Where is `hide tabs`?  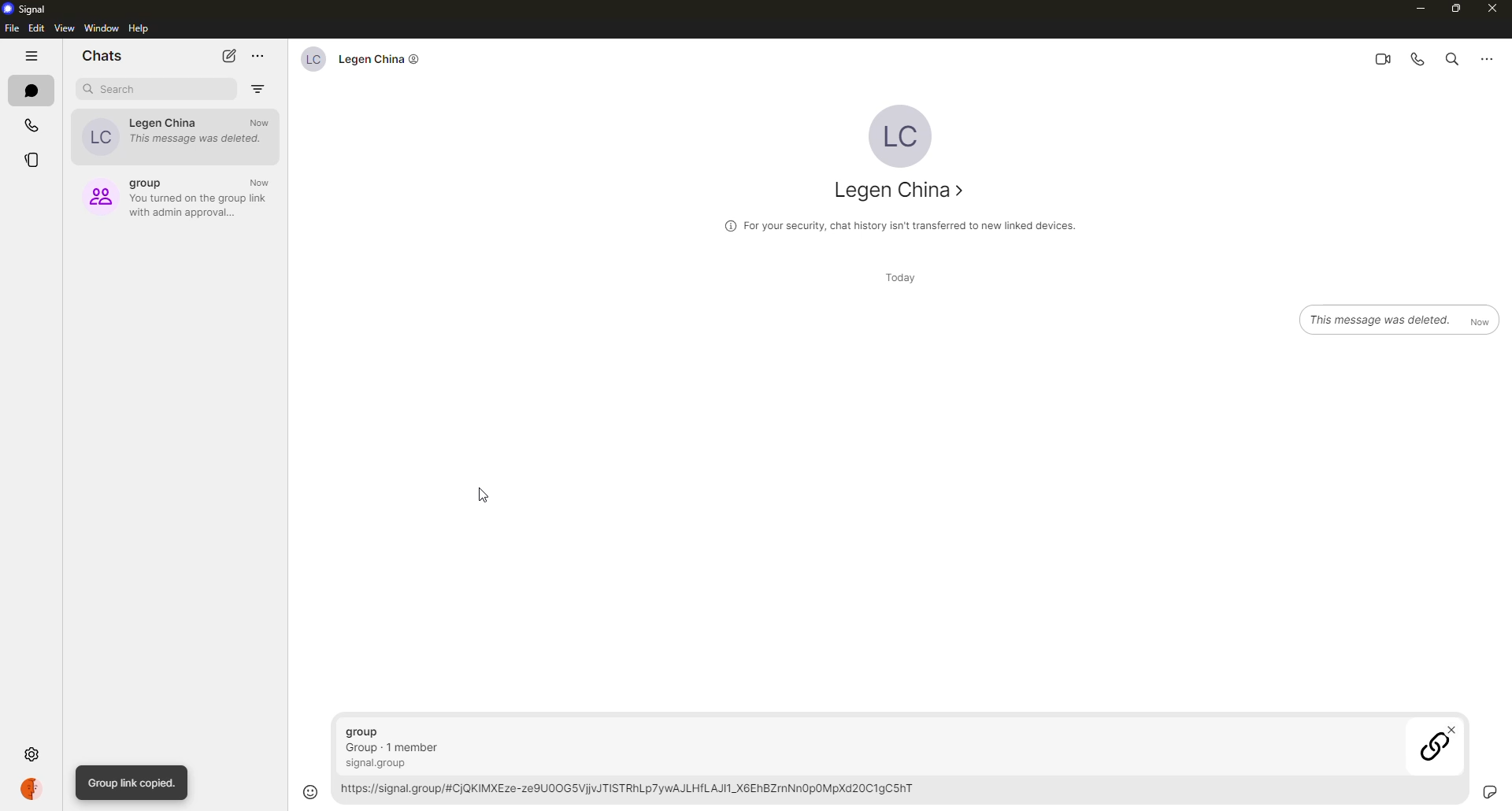 hide tabs is located at coordinates (33, 57).